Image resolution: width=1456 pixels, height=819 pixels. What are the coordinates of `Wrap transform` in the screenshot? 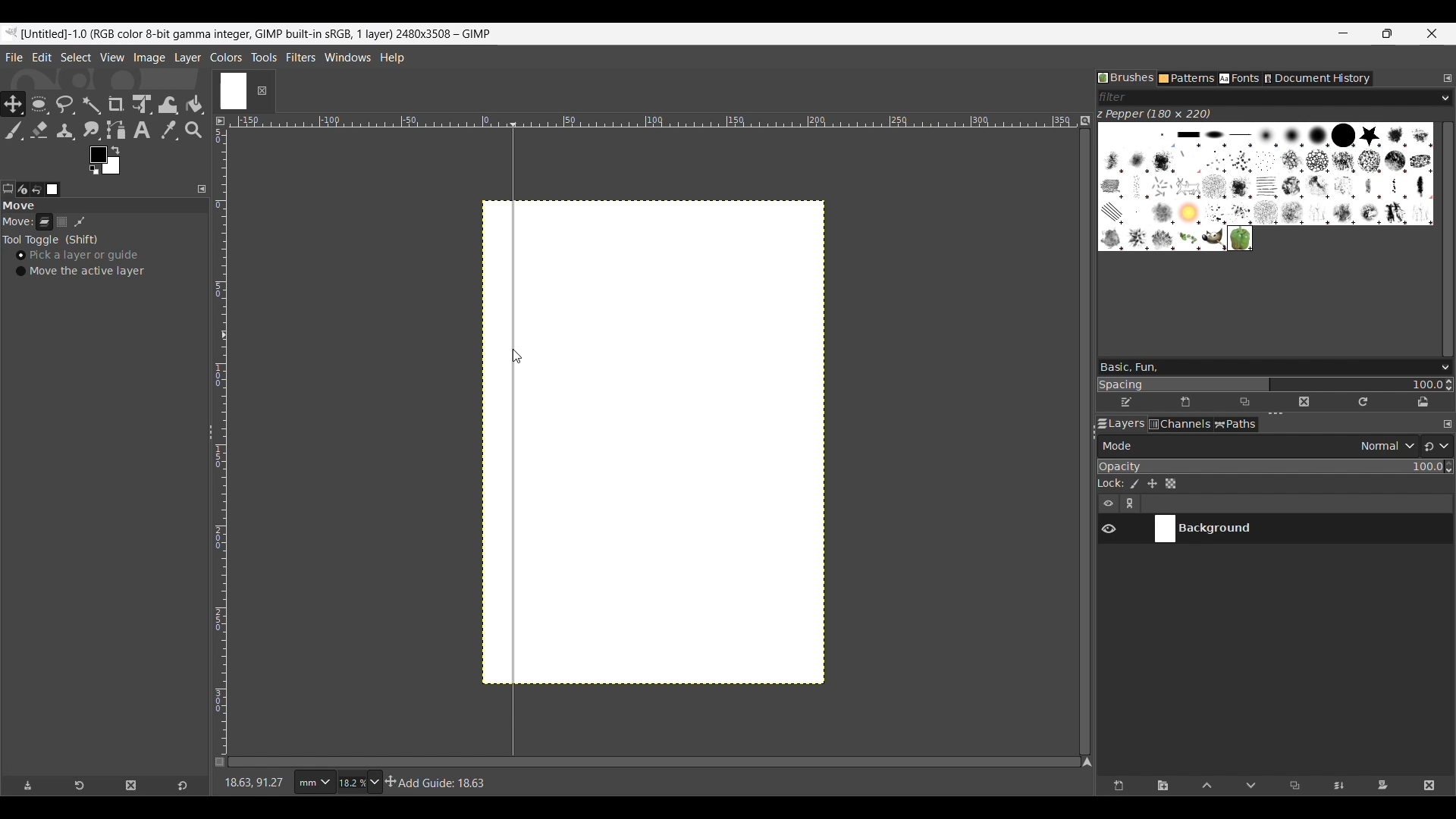 It's located at (168, 105).